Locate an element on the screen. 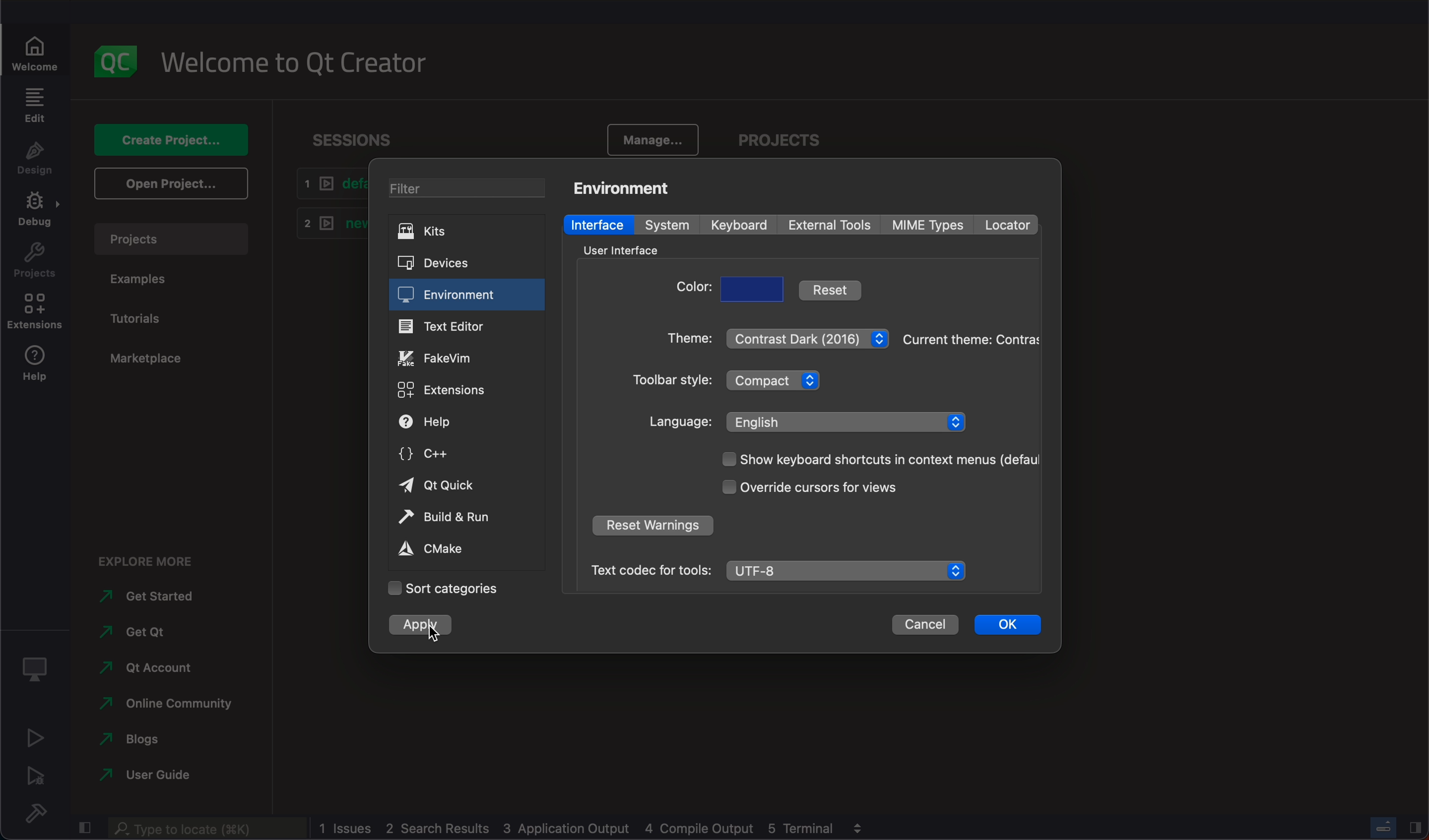 The width and height of the screenshot is (1429, 840). reser is located at coordinates (652, 525).